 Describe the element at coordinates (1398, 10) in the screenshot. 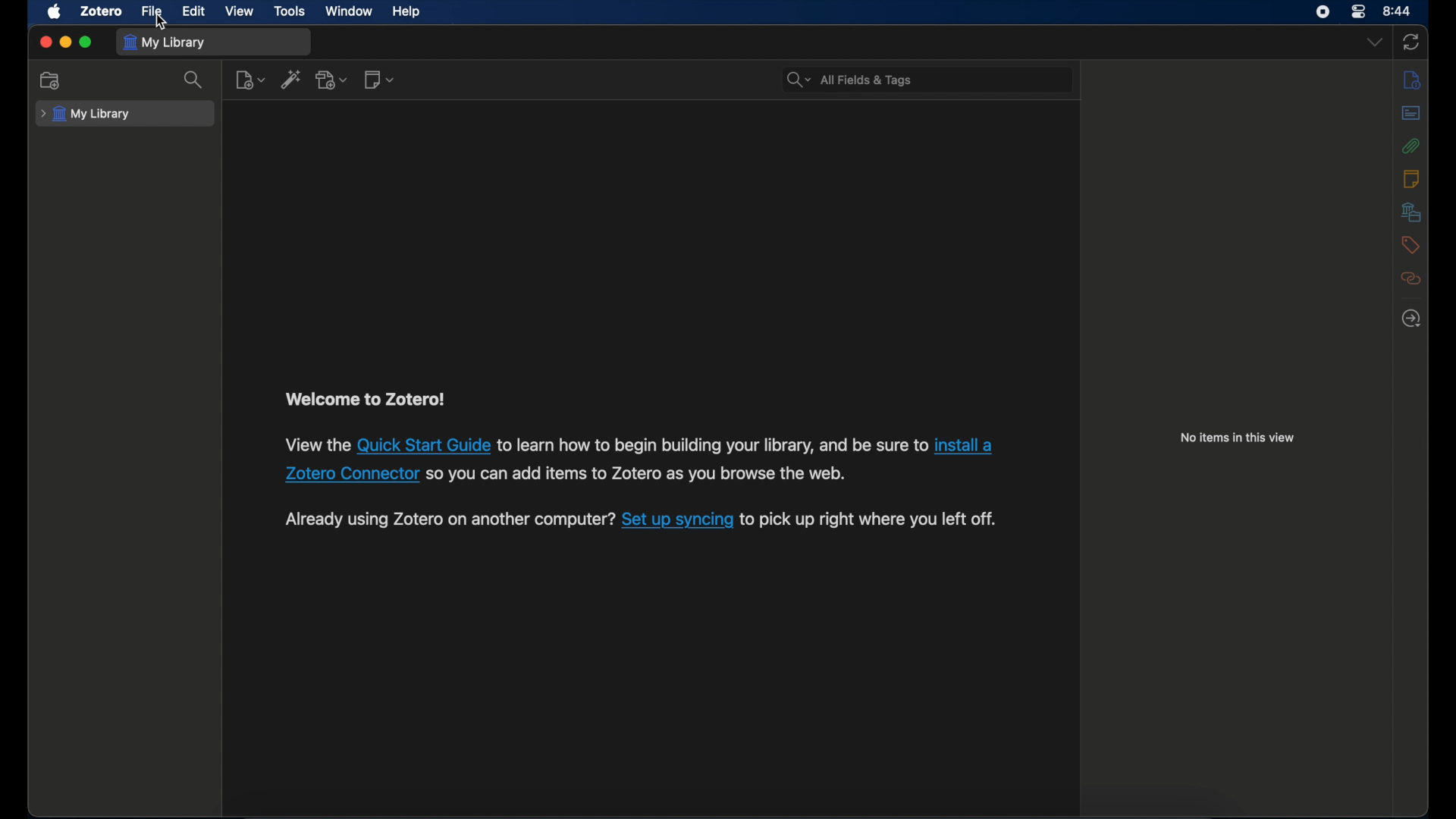

I see `8.44` at that location.